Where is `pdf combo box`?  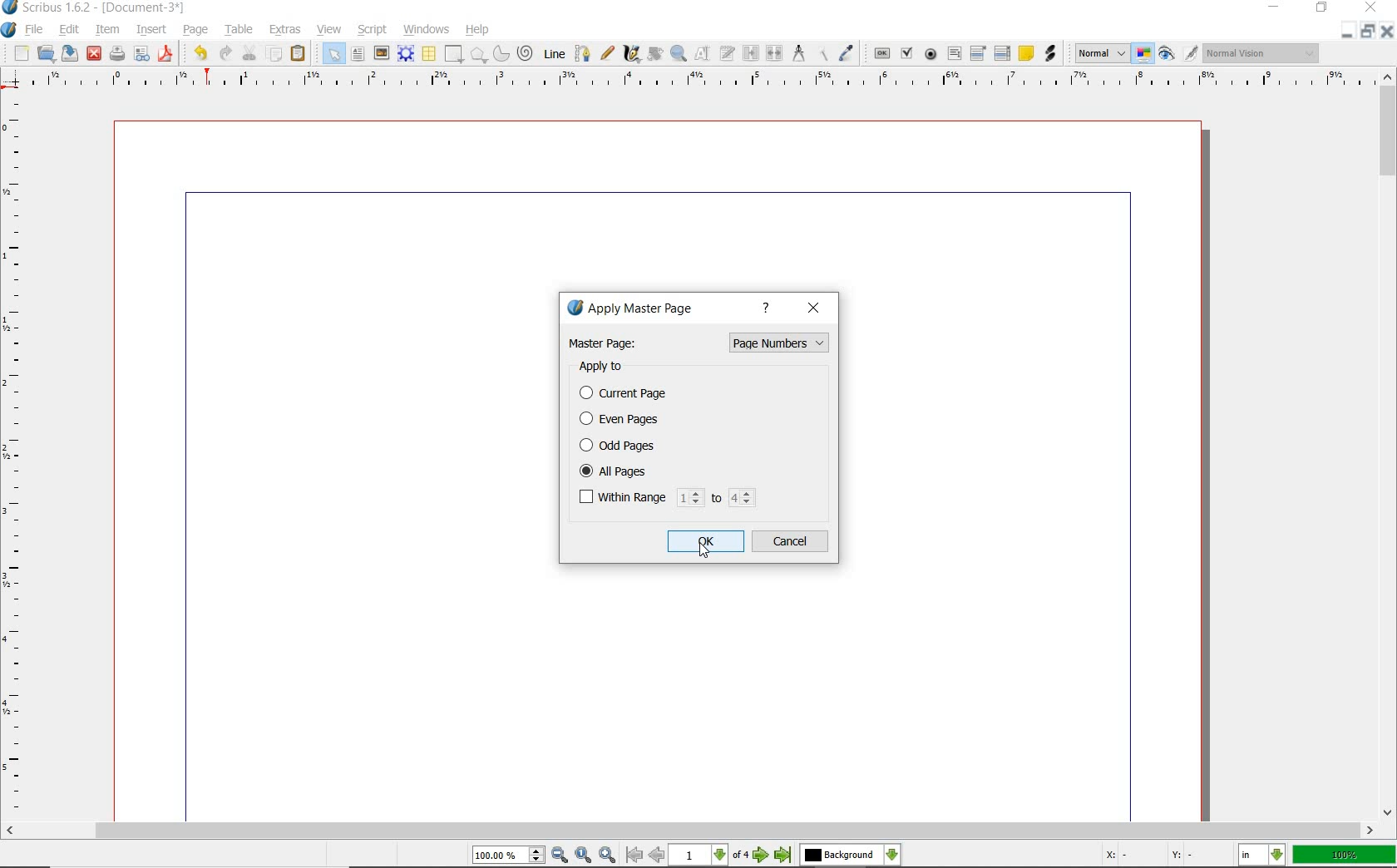
pdf combo box is located at coordinates (979, 52).